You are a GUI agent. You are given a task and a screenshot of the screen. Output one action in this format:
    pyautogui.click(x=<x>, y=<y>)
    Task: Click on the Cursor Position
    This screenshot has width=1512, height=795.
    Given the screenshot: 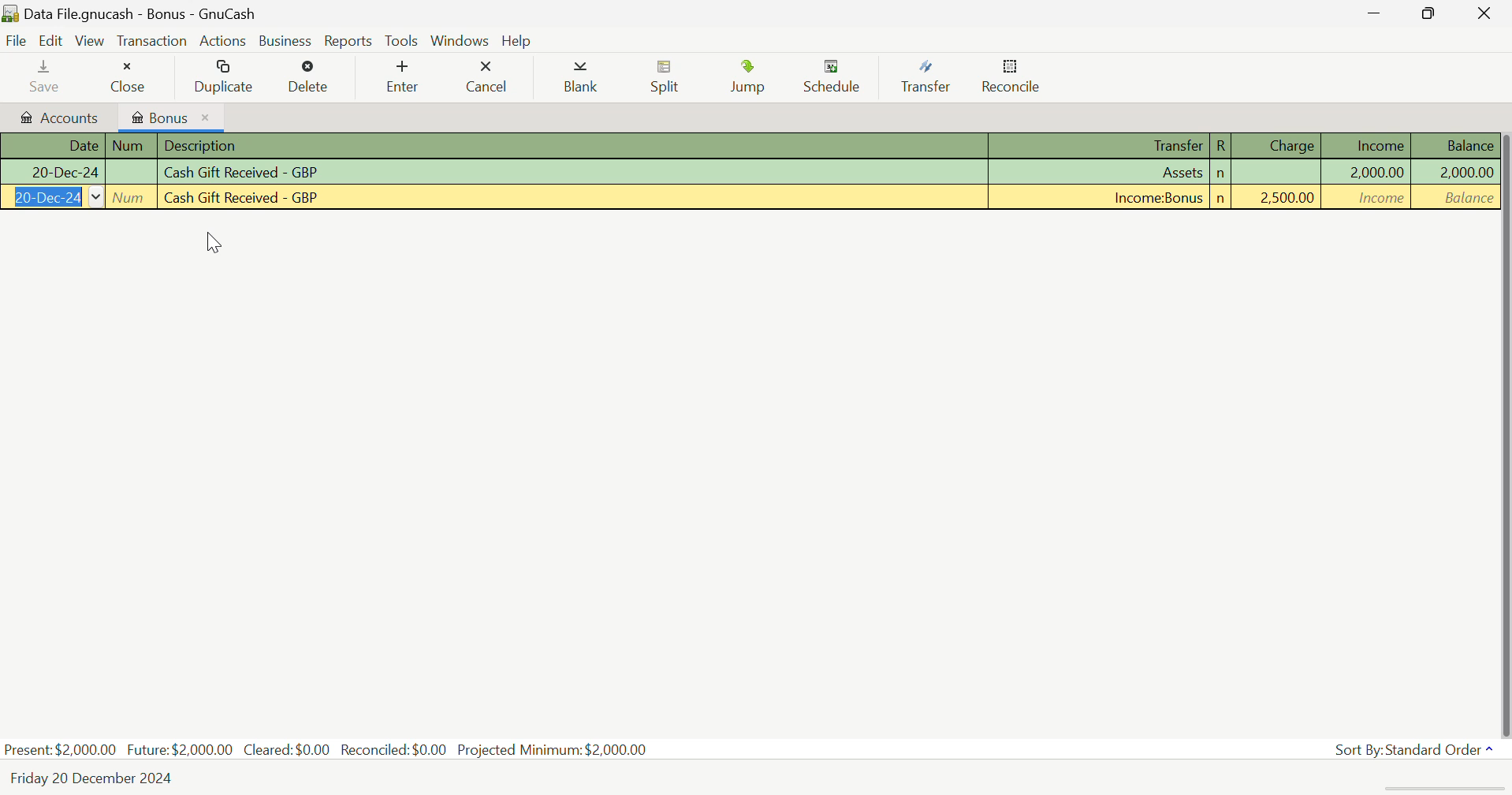 What is the action you would take?
    pyautogui.click(x=218, y=244)
    